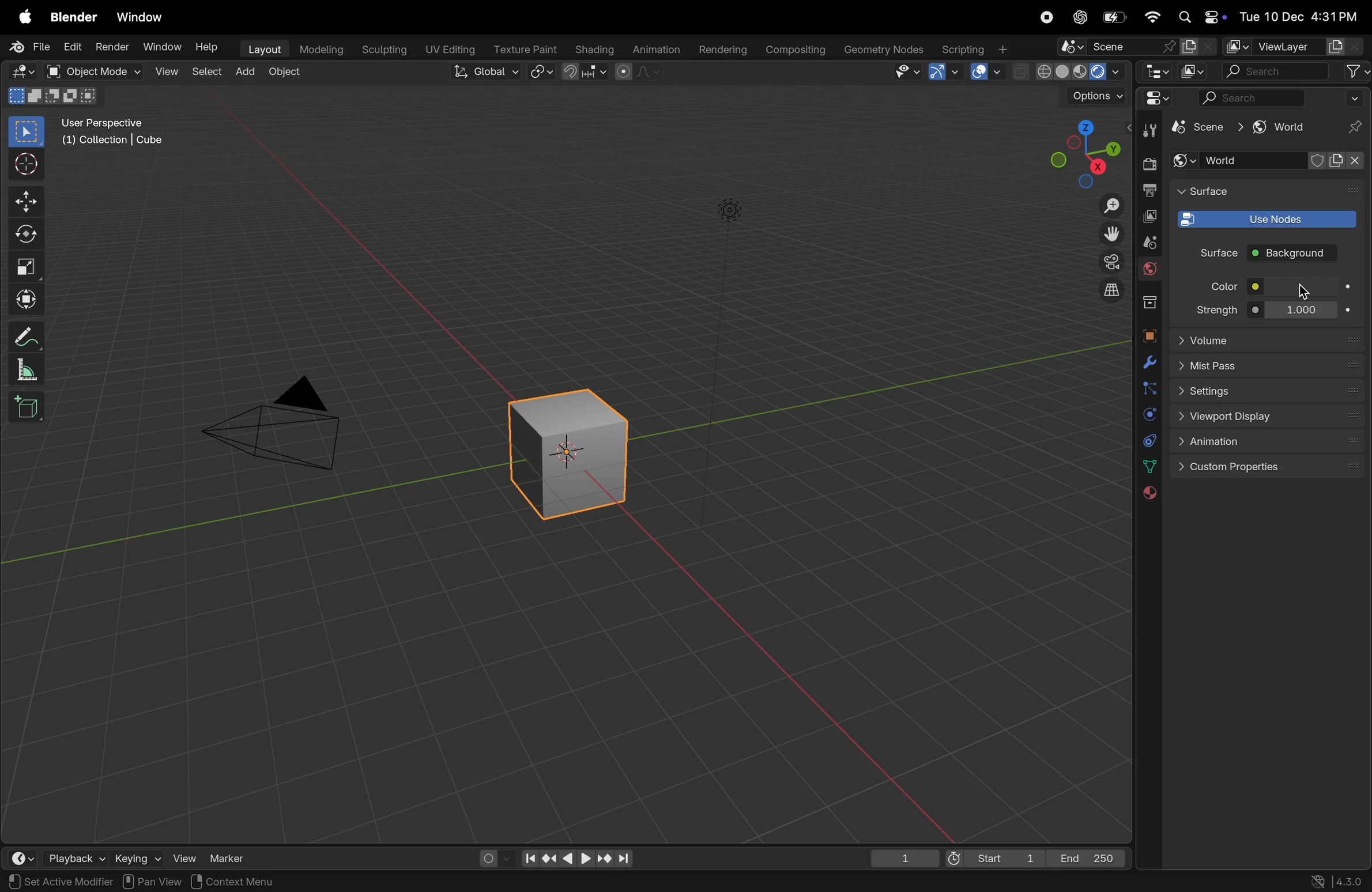 This screenshot has width=1372, height=892. Describe the element at coordinates (183, 882) in the screenshot. I see `region` at that location.